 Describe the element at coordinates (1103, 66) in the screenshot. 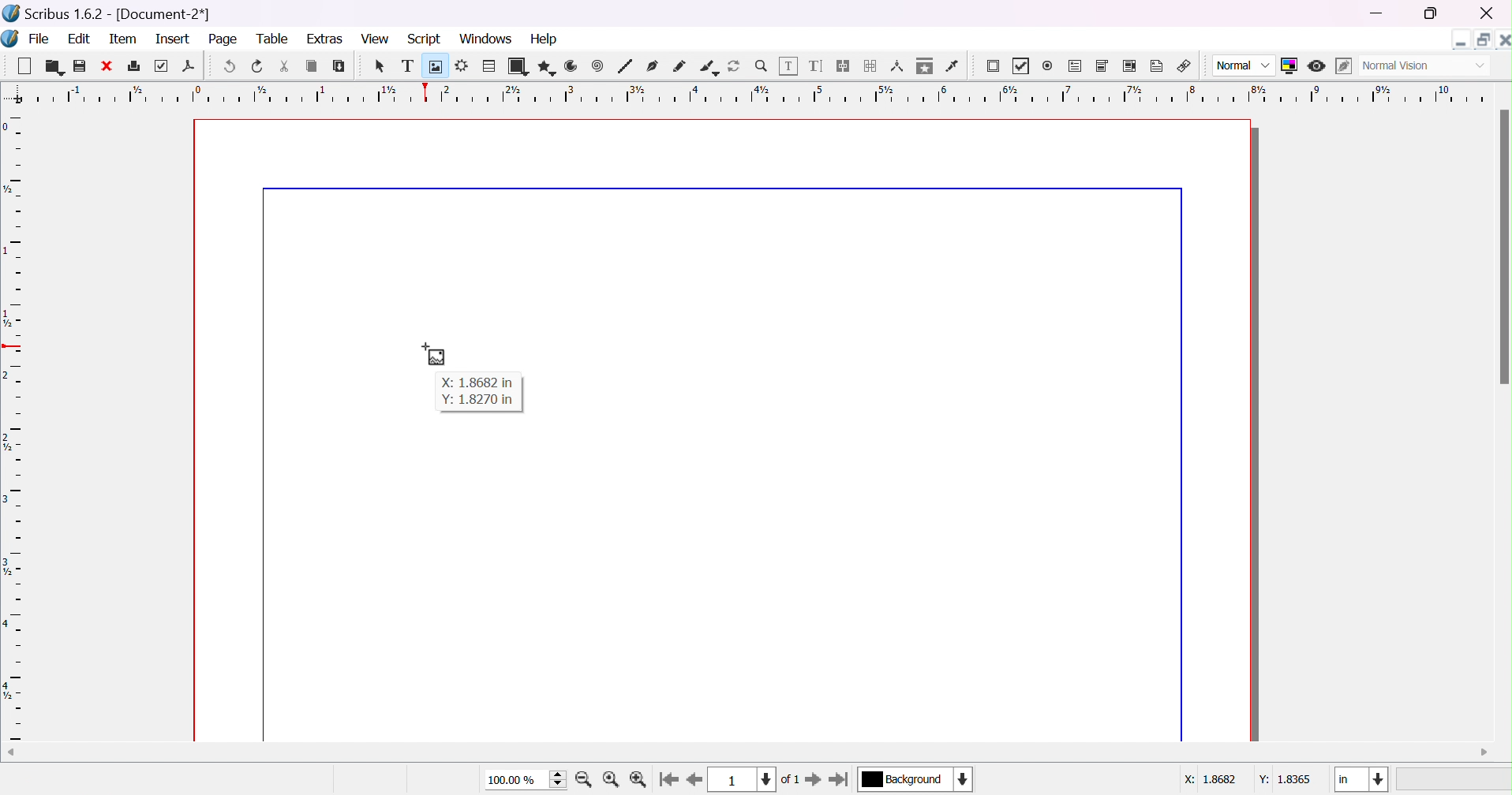

I see `PDF combo box` at that location.